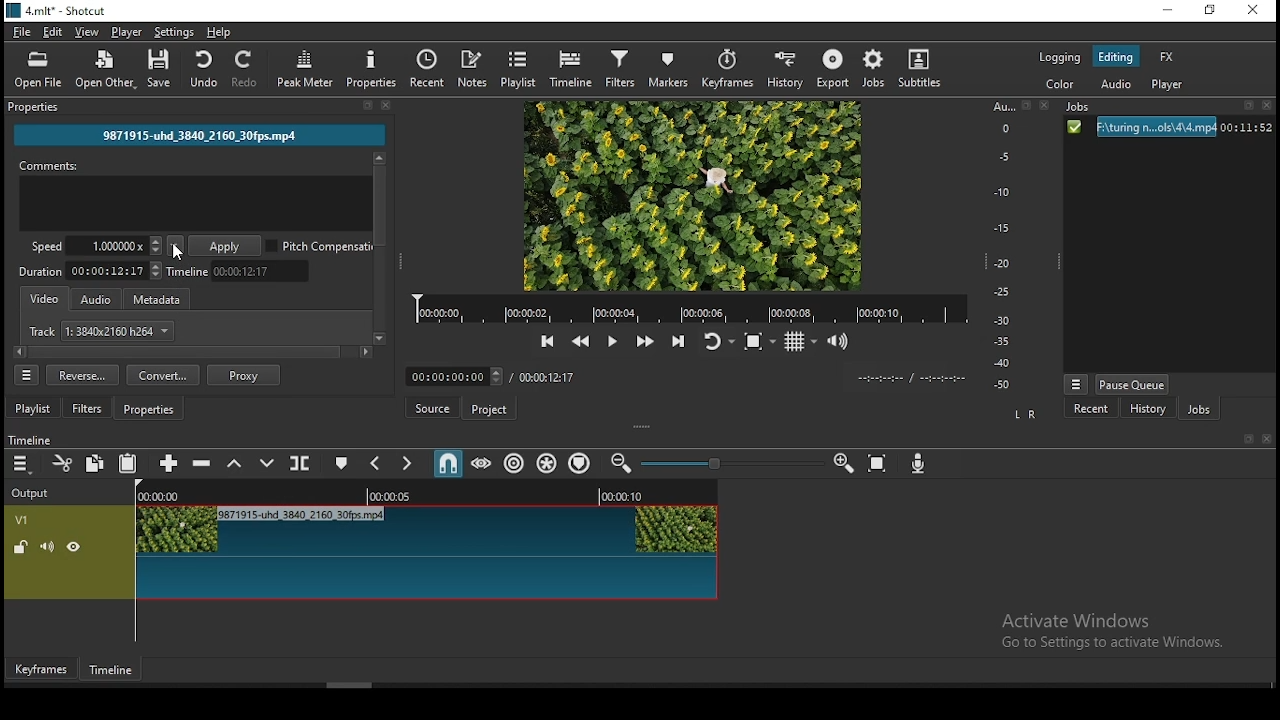 This screenshot has height=720, width=1280. I want to click on 4.mlt - Shotcut, so click(59, 11).